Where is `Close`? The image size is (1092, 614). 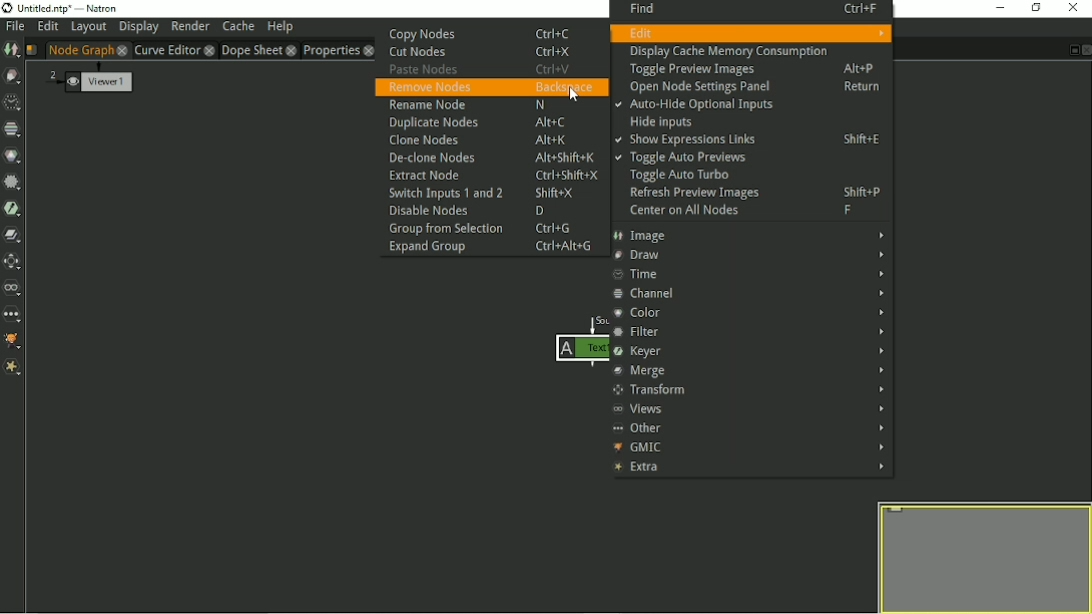
Close is located at coordinates (1074, 8).